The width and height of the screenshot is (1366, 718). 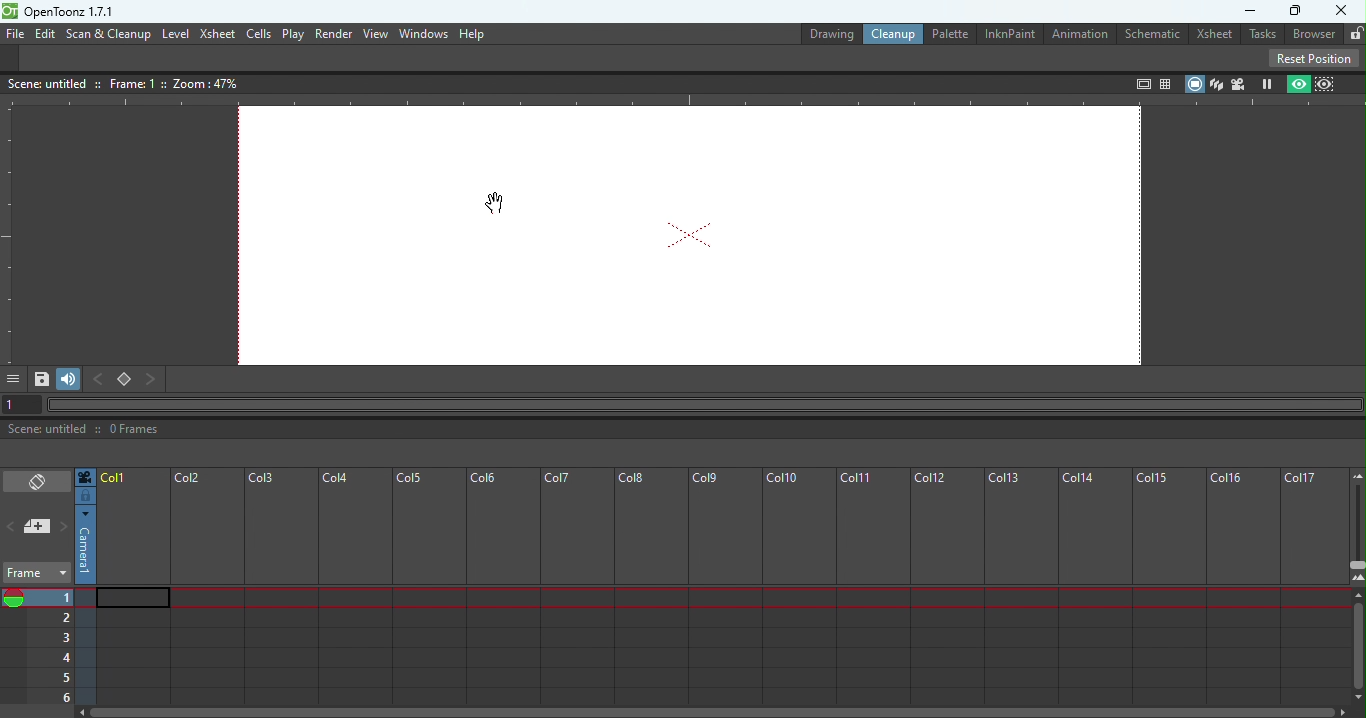 What do you see at coordinates (1013, 33) in the screenshot?
I see `InknPaint` at bounding box center [1013, 33].